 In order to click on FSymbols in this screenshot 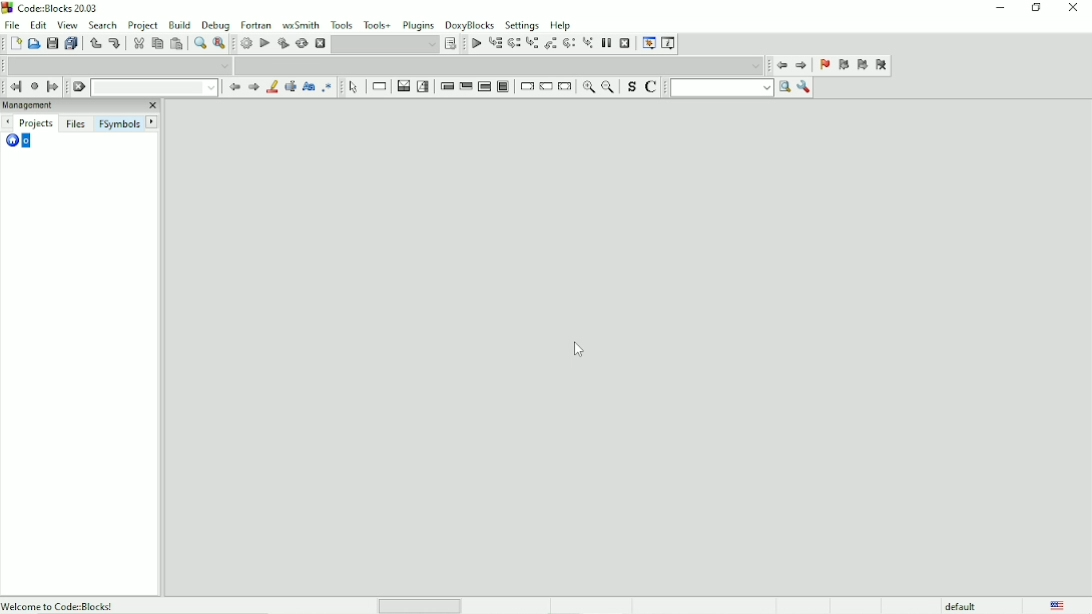, I will do `click(118, 124)`.